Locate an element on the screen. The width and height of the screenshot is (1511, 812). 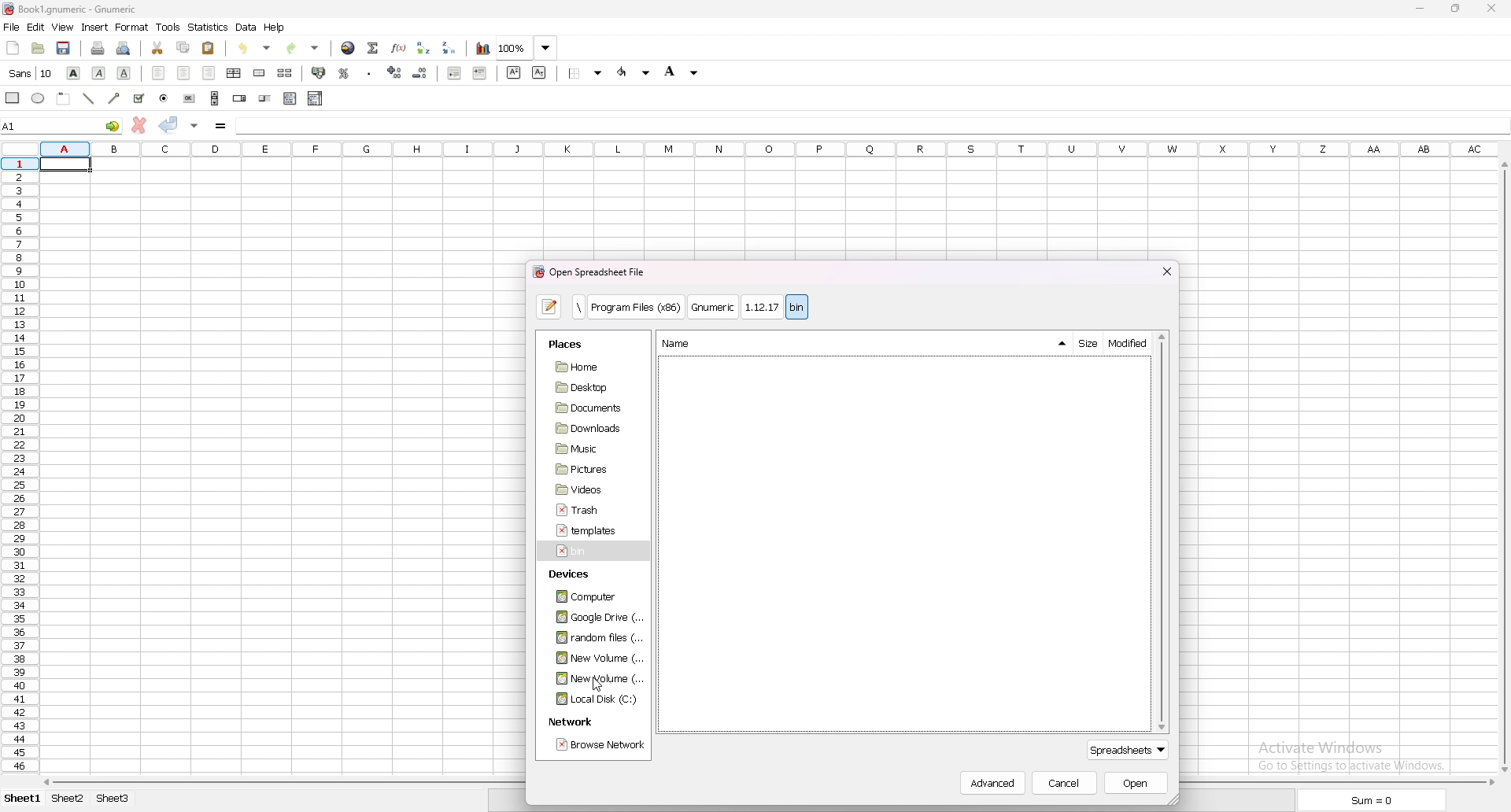
button is located at coordinates (190, 99).